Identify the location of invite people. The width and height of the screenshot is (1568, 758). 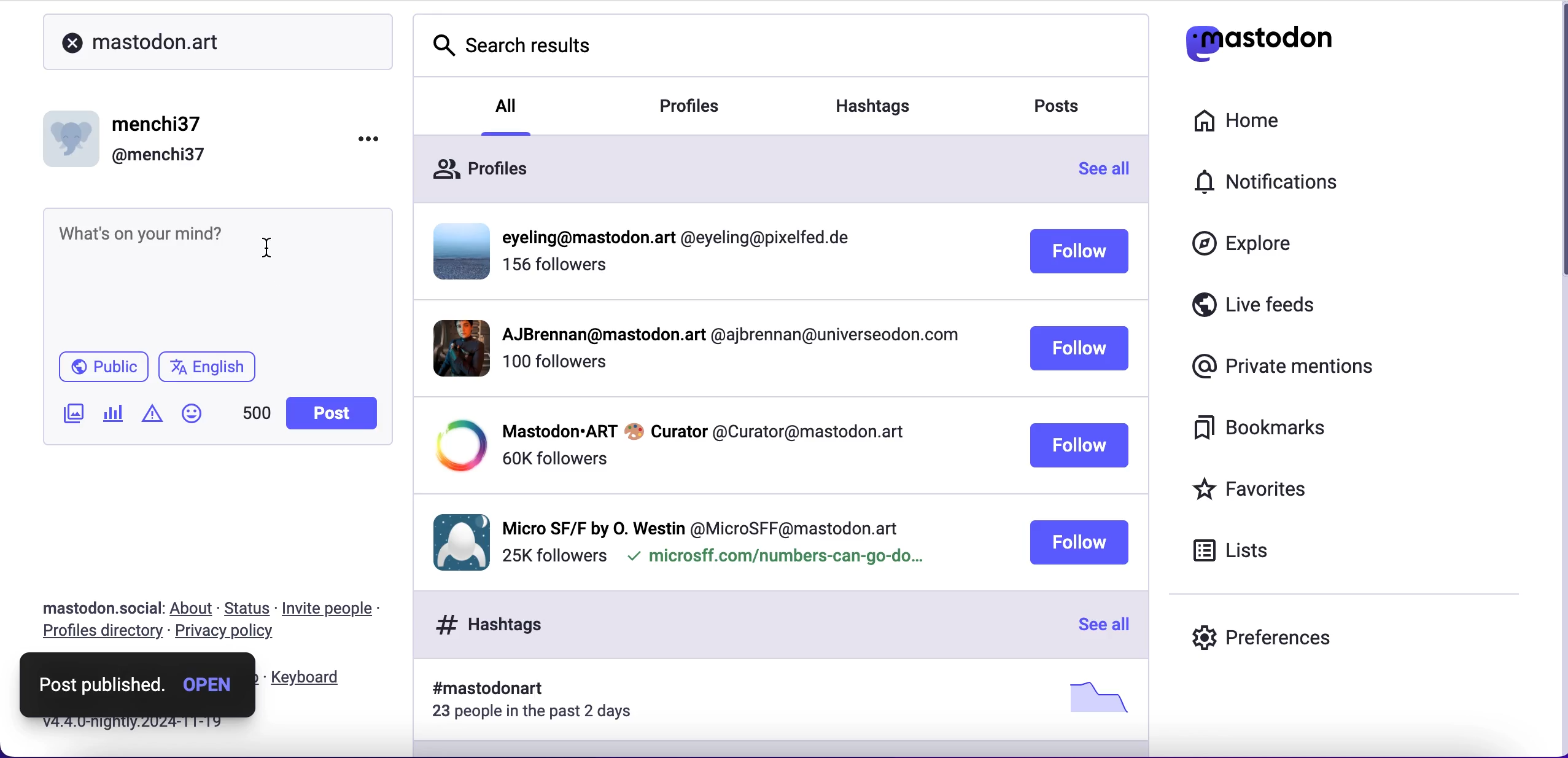
(340, 608).